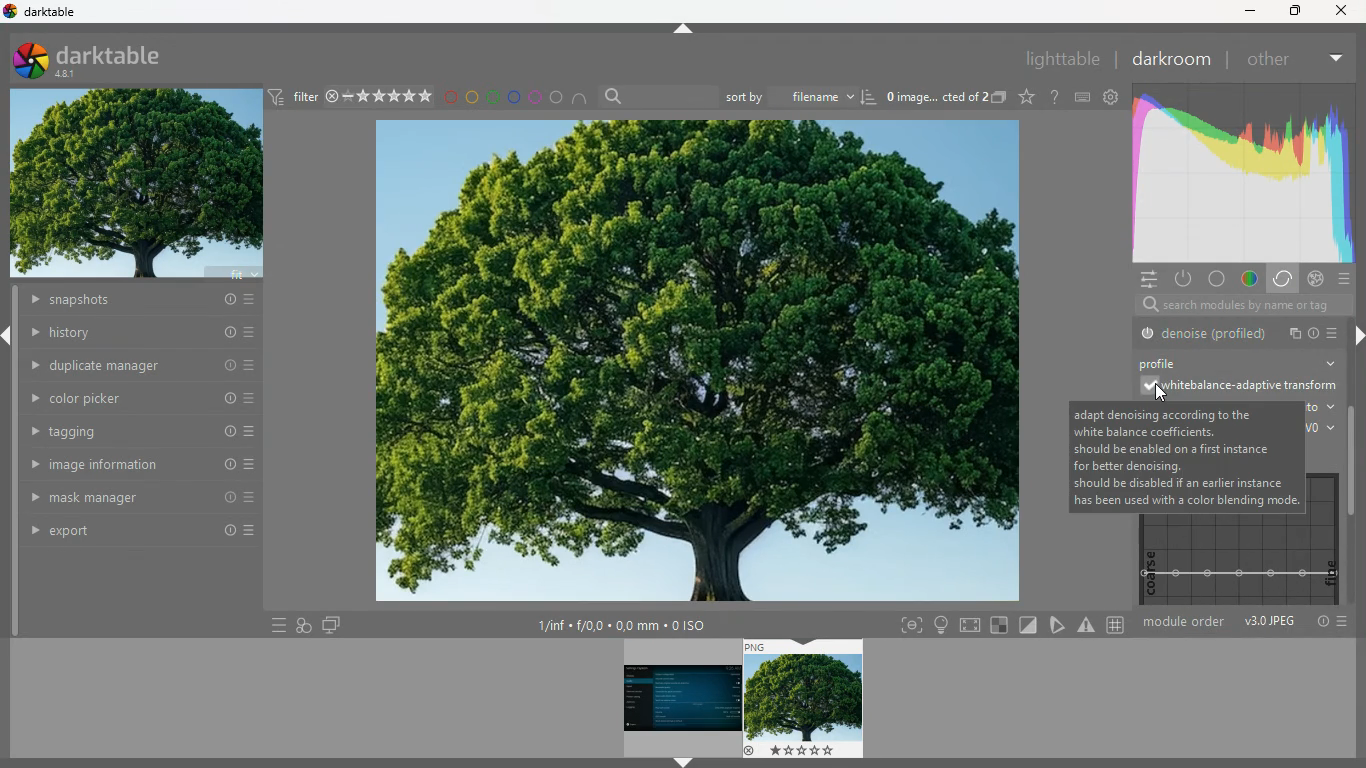 The width and height of the screenshot is (1366, 768). What do you see at coordinates (911, 625) in the screenshot?
I see `frame` at bounding box center [911, 625].